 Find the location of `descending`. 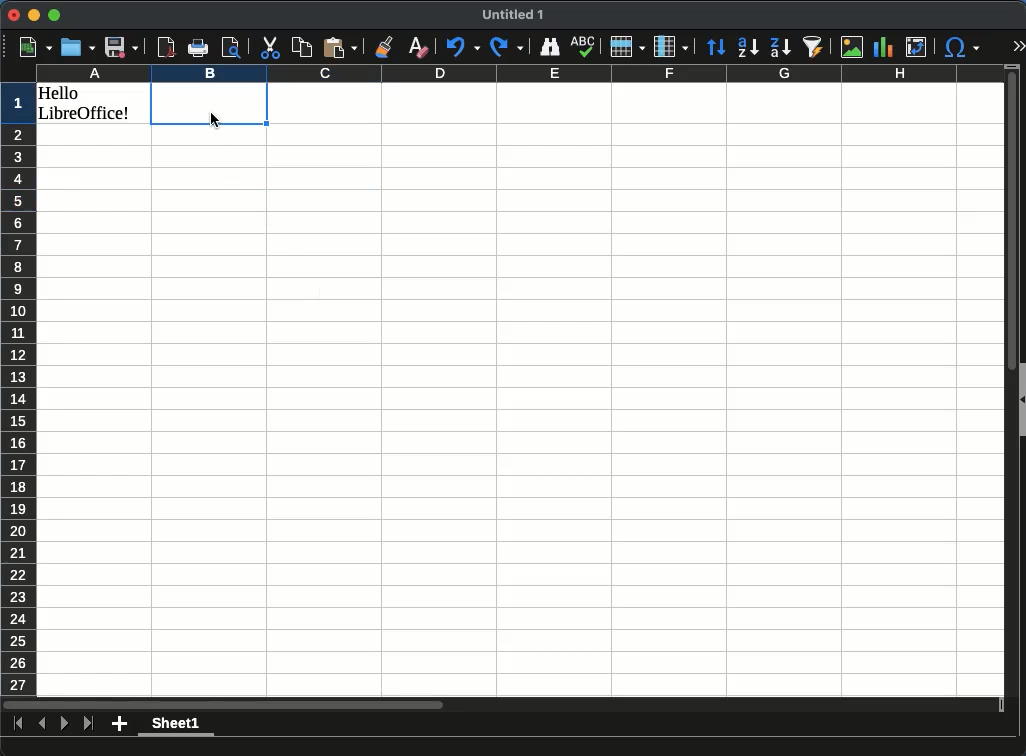

descending is located at coordinates (780, 47).